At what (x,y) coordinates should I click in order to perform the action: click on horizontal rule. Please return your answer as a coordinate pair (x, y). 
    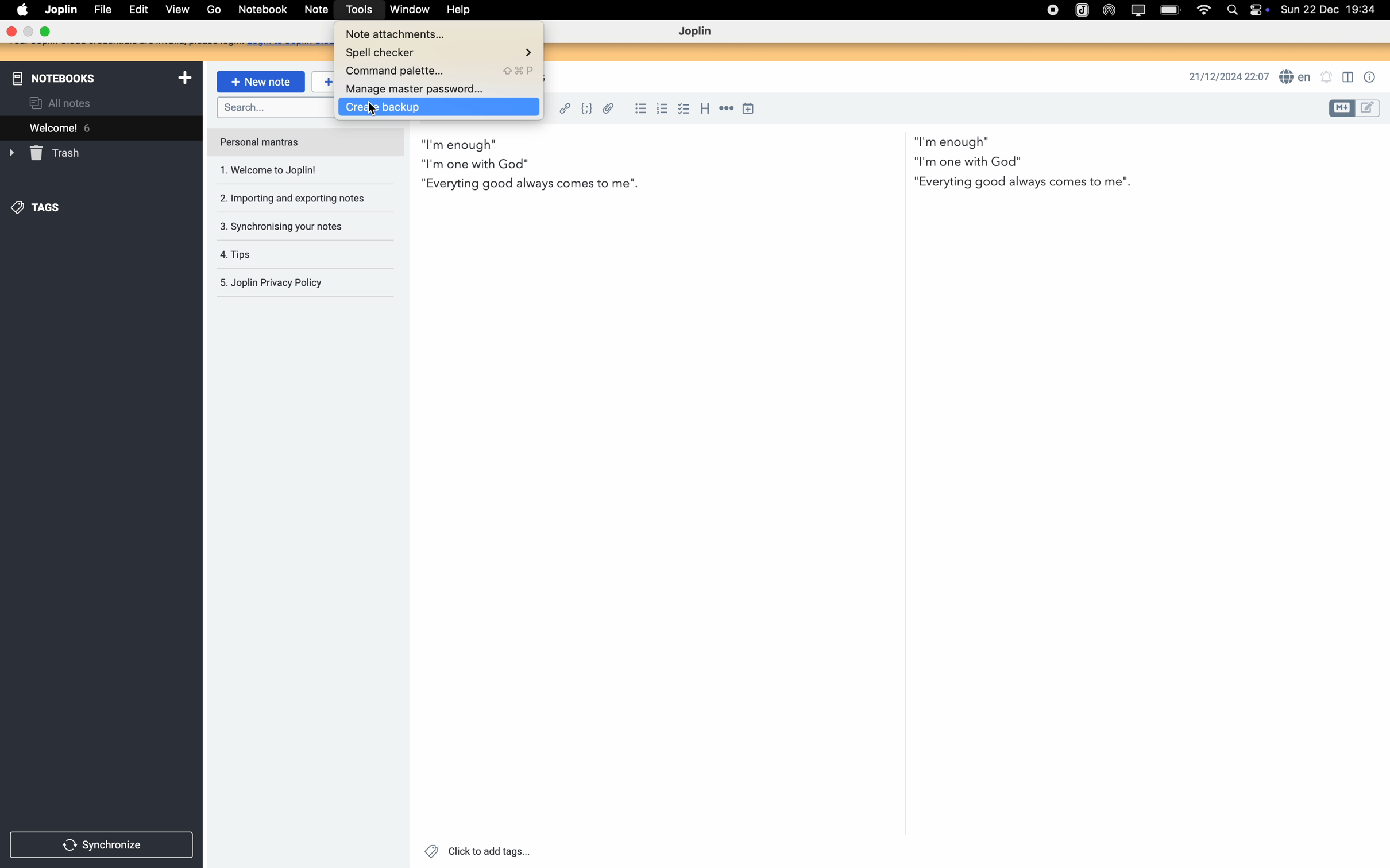
    Looking at the image, I should click on (728, 108).